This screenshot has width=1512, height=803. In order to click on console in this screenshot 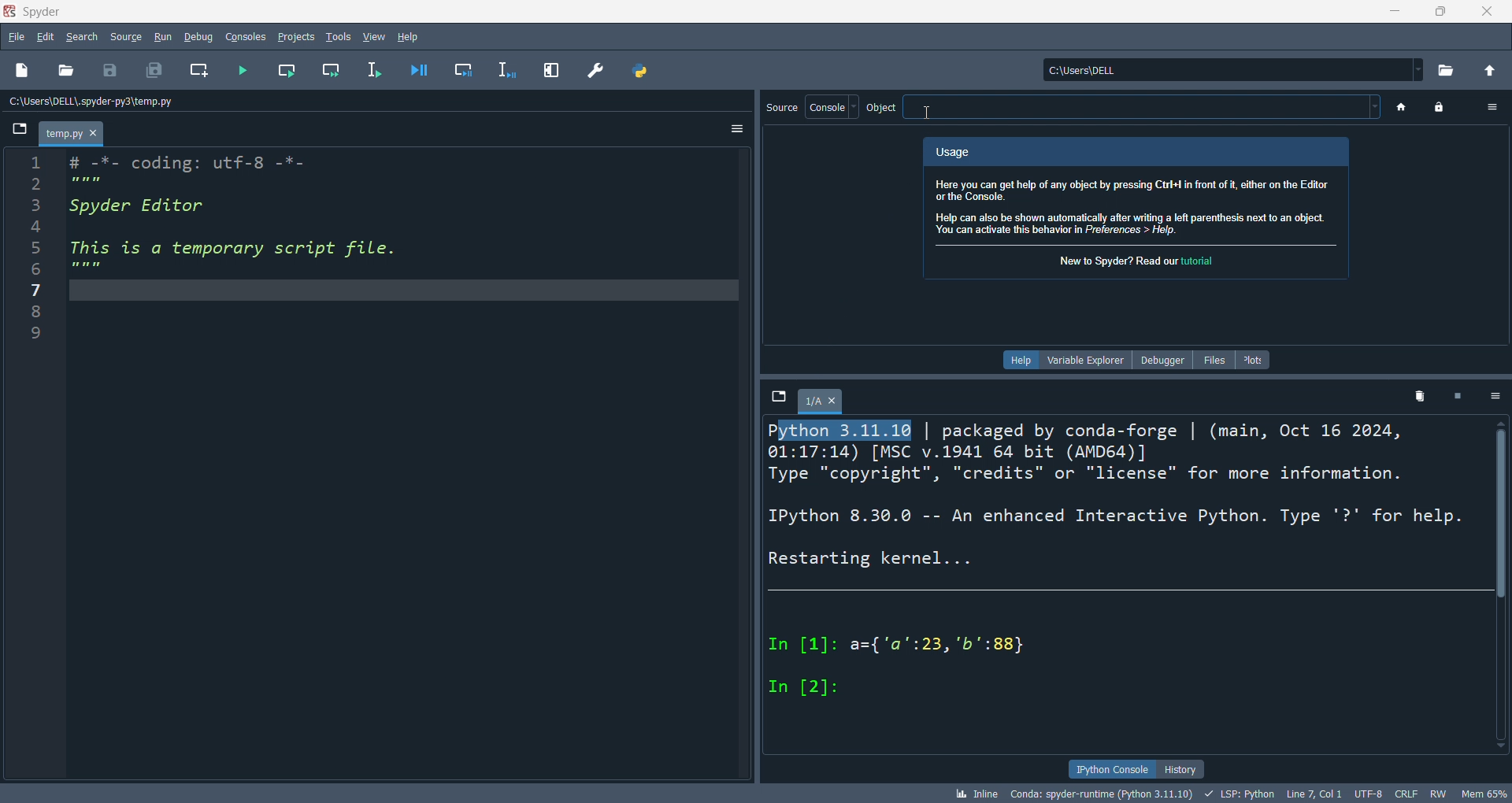, I will do `click(831, 105)`.